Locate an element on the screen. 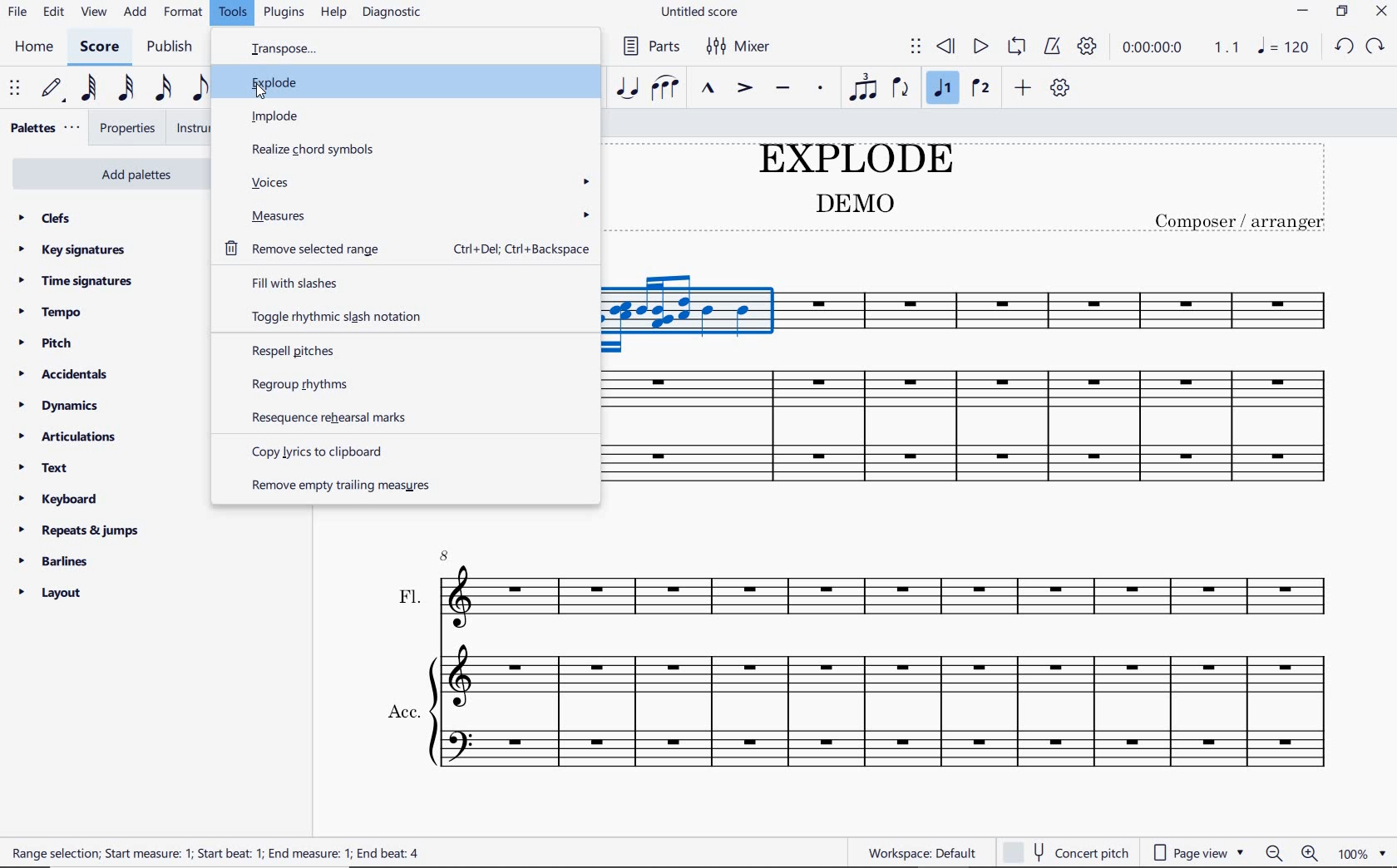 This screenshot has height=868, width=1397. minimize is located at coordinates (1301, 9).